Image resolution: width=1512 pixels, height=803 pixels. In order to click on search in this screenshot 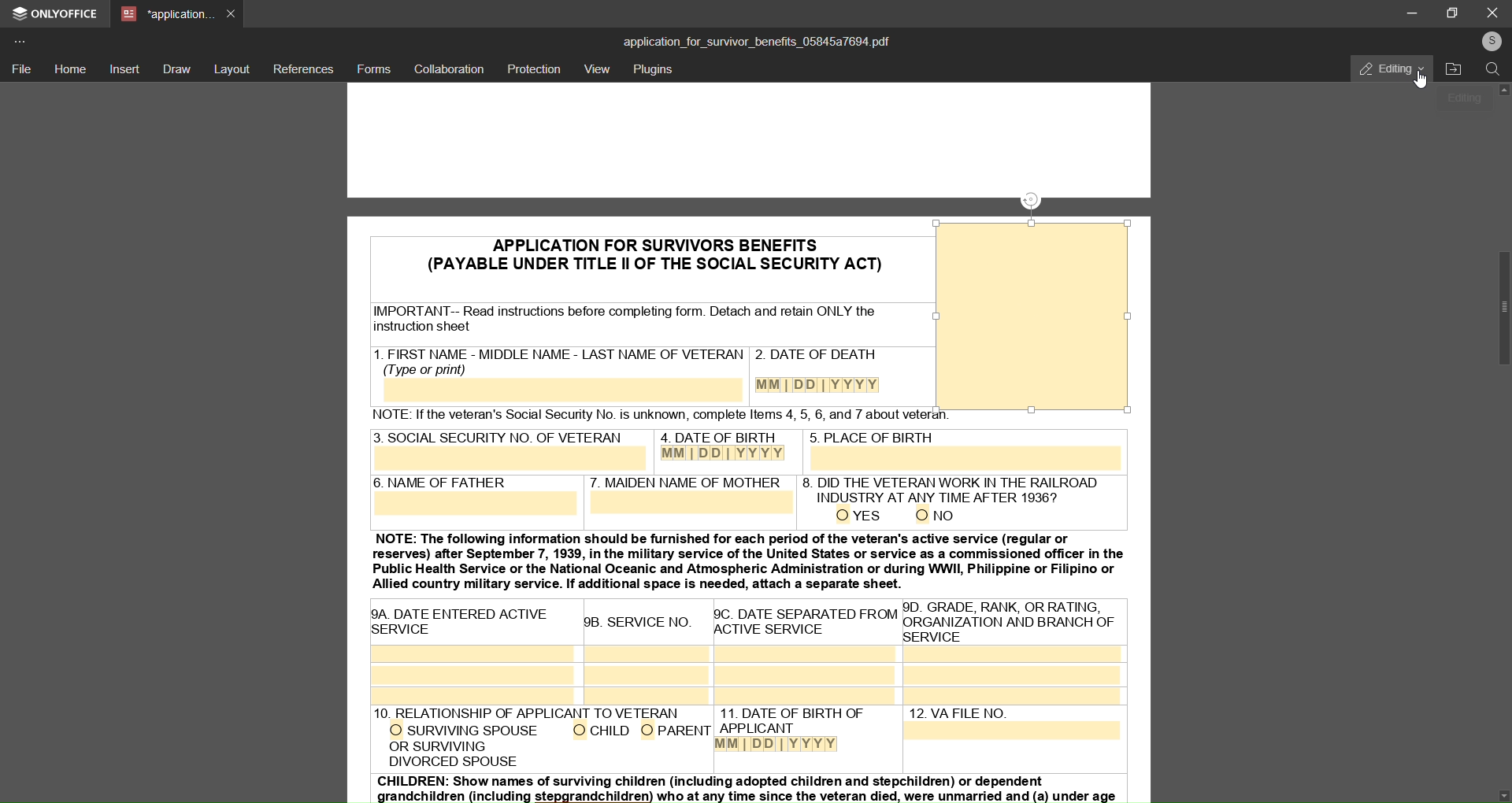, I will do `click(1492, 72)`.